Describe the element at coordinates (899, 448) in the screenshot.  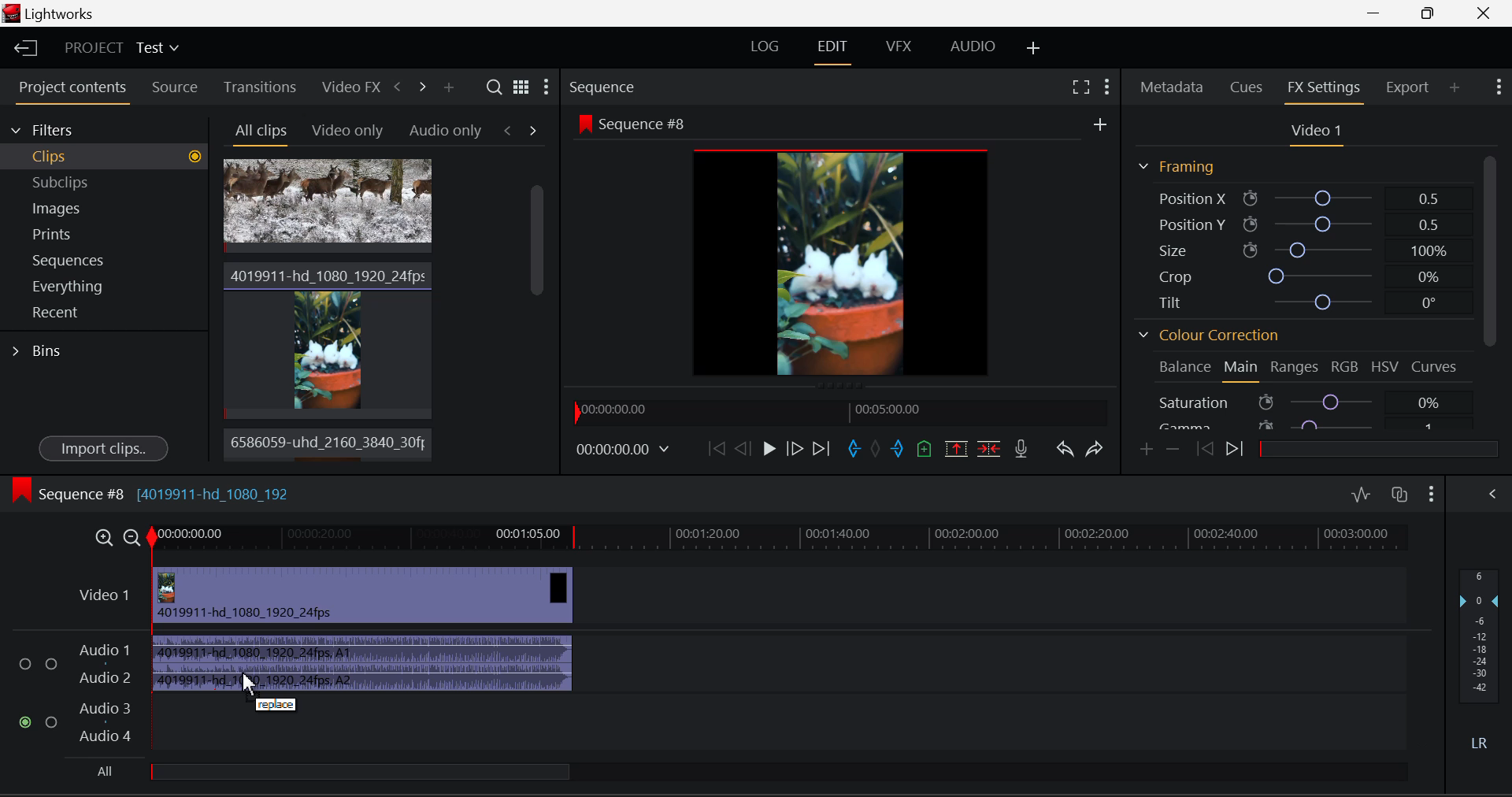
I see `Mark Out` at that location.